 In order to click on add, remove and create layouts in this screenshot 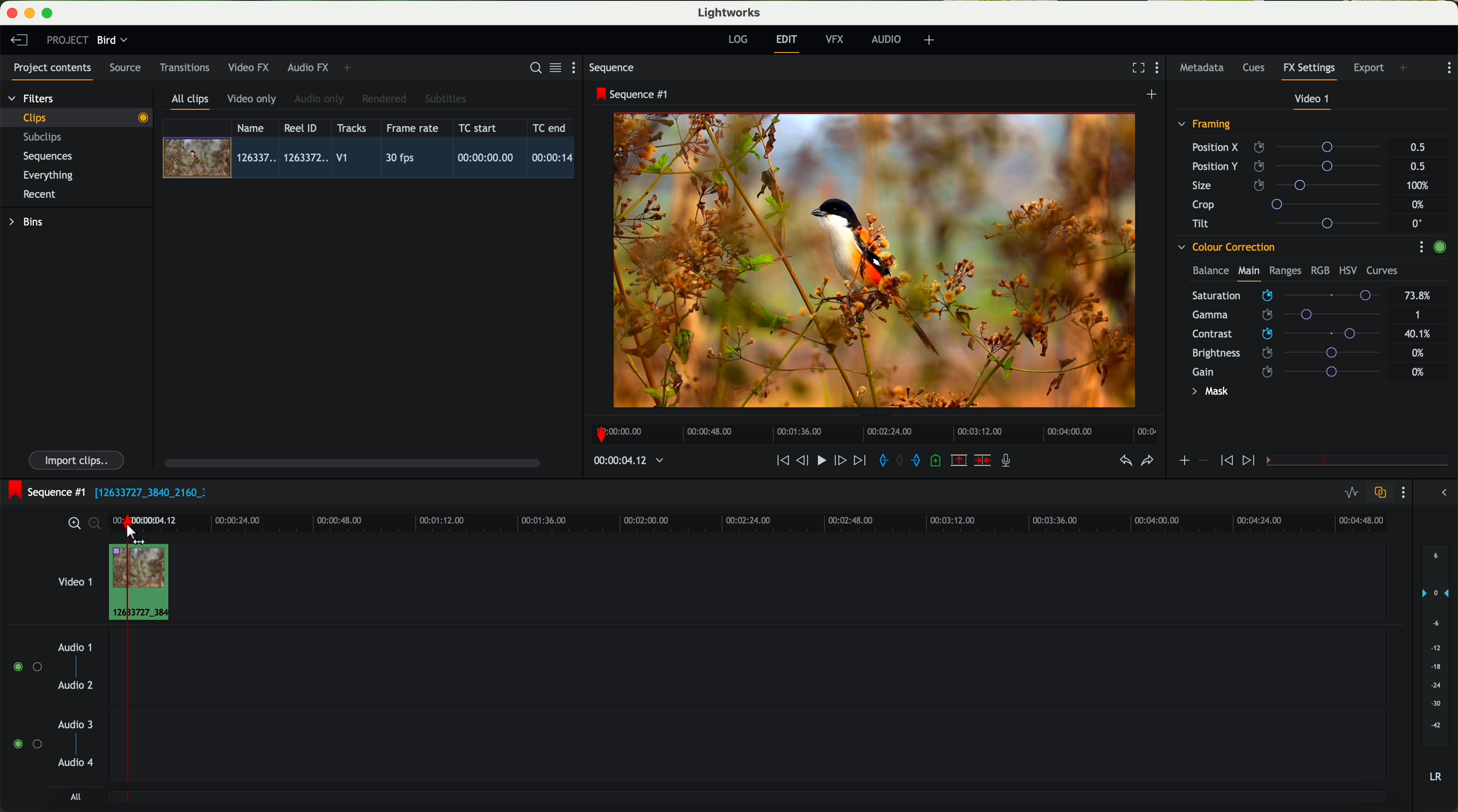, I will do `click(931, 40)`.